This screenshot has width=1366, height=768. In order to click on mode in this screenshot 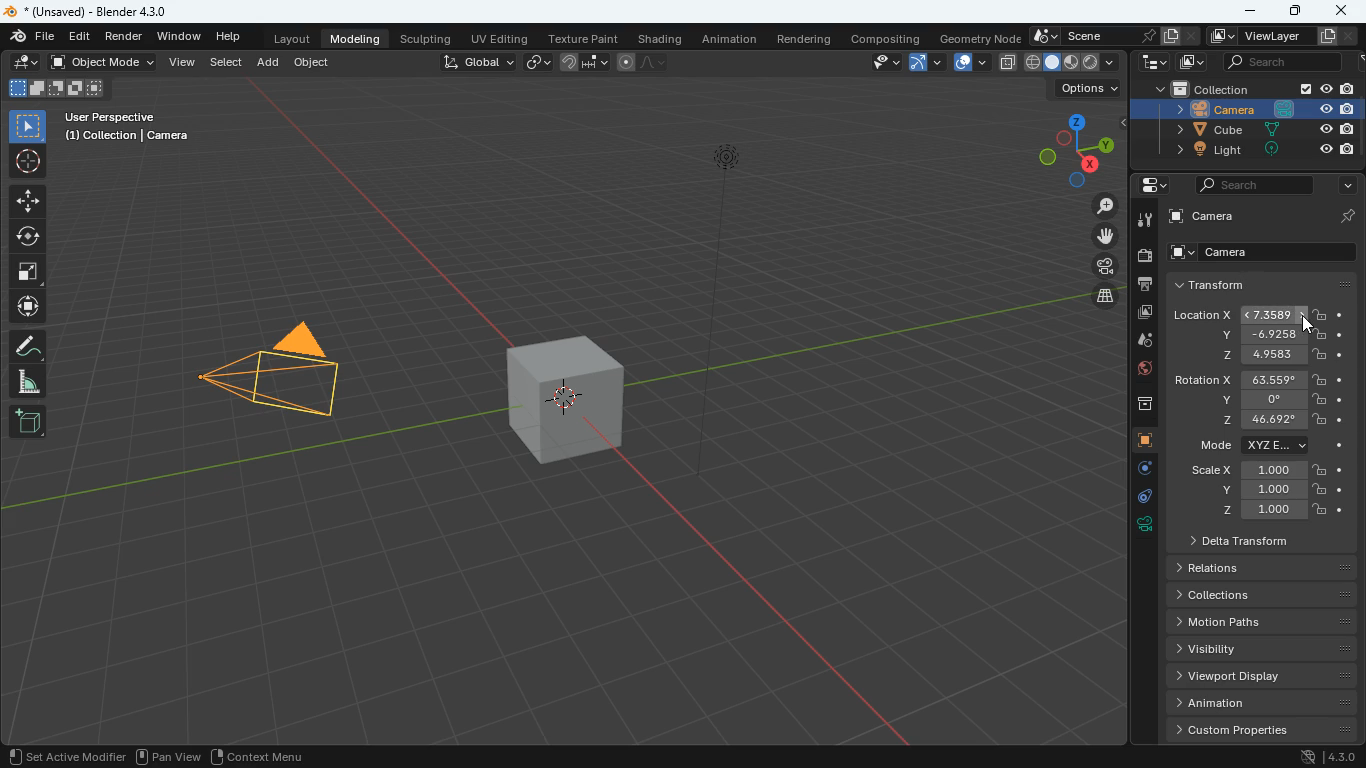, I will do `click(1271, 447)`.